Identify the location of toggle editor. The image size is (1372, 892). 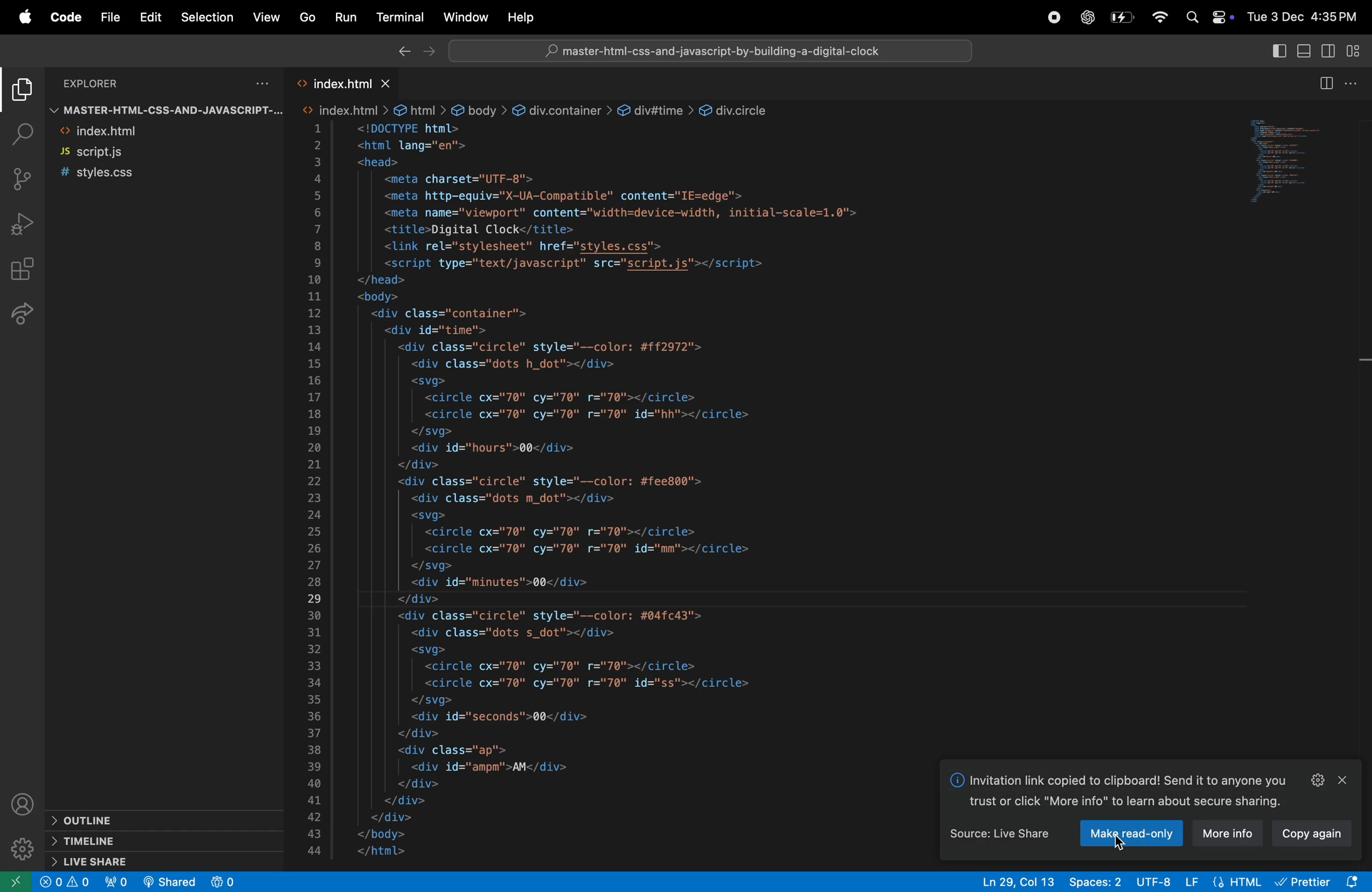
(1337, 82).